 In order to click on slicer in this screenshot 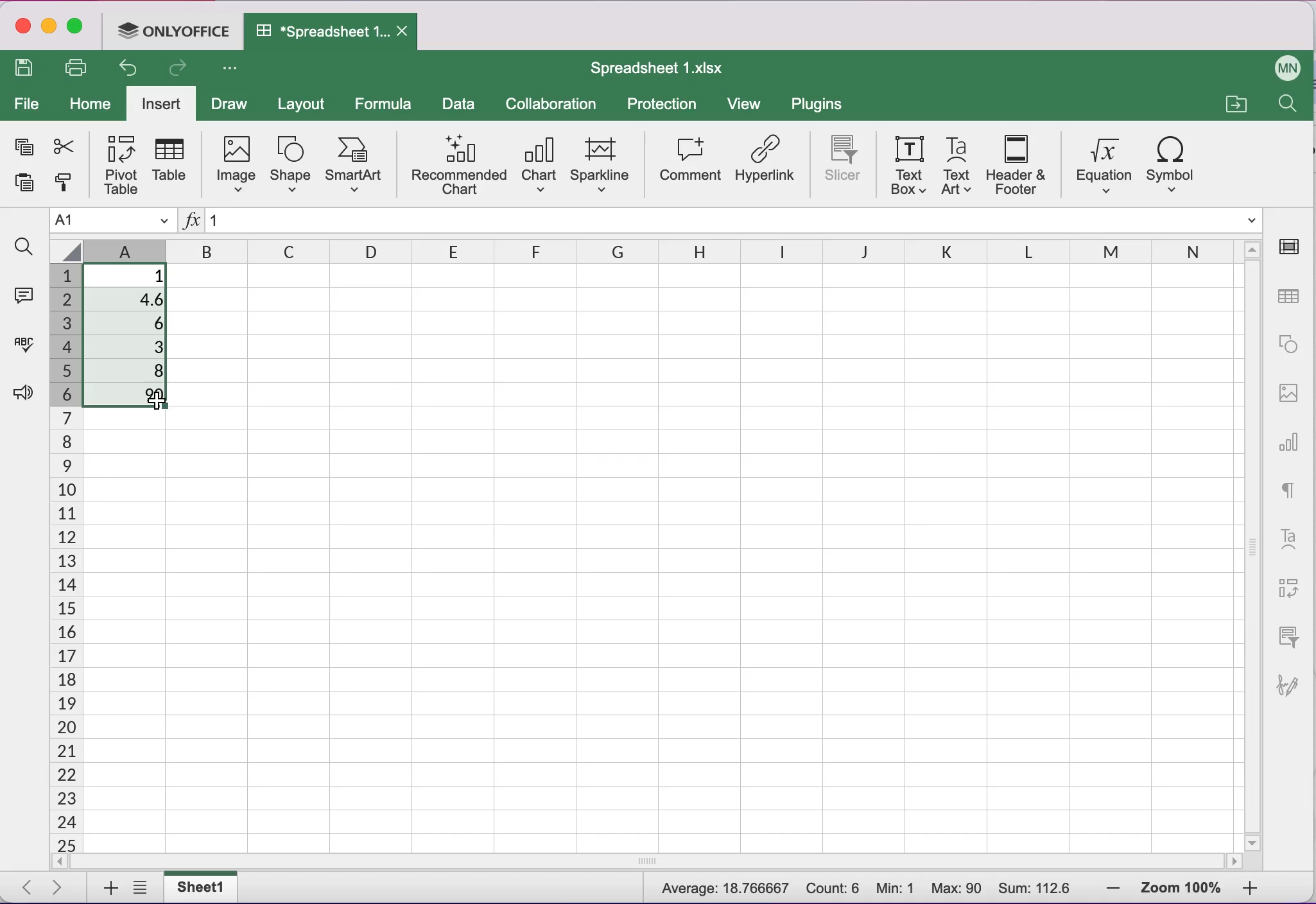, I will do `click(839, 161)`.